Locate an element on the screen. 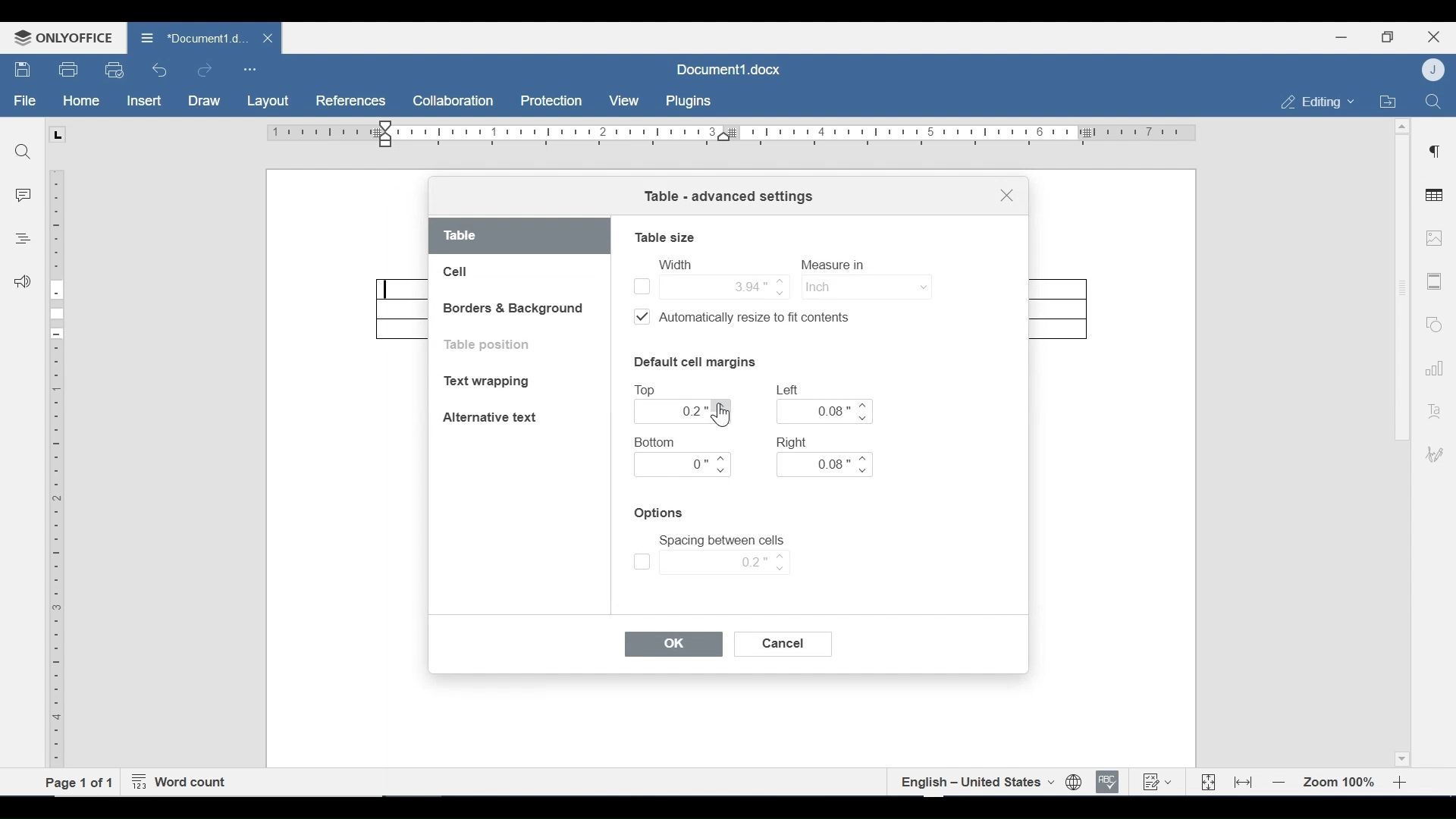 This screenshot has width=1456, height=819. cursor is located at coordinates (722, 418).